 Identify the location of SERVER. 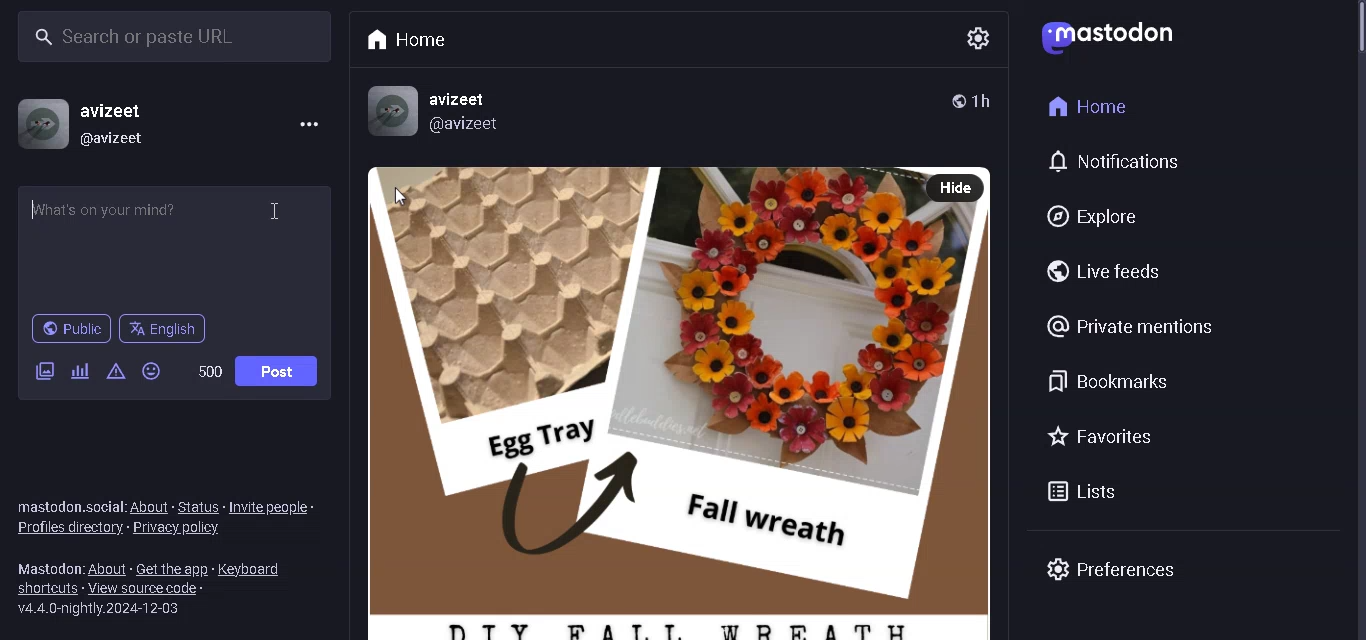
(103, 612).